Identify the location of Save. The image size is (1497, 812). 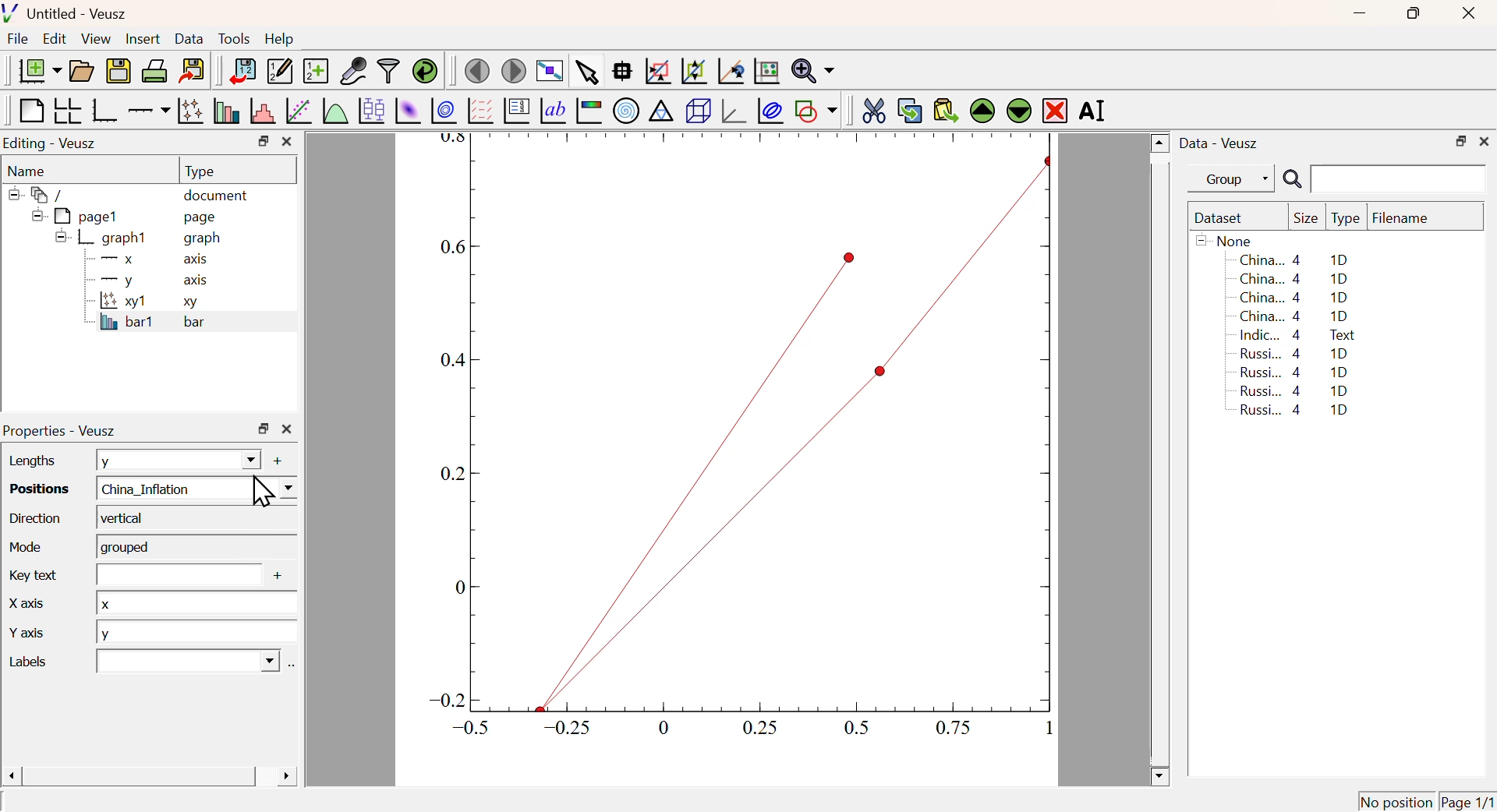
(119, 72).